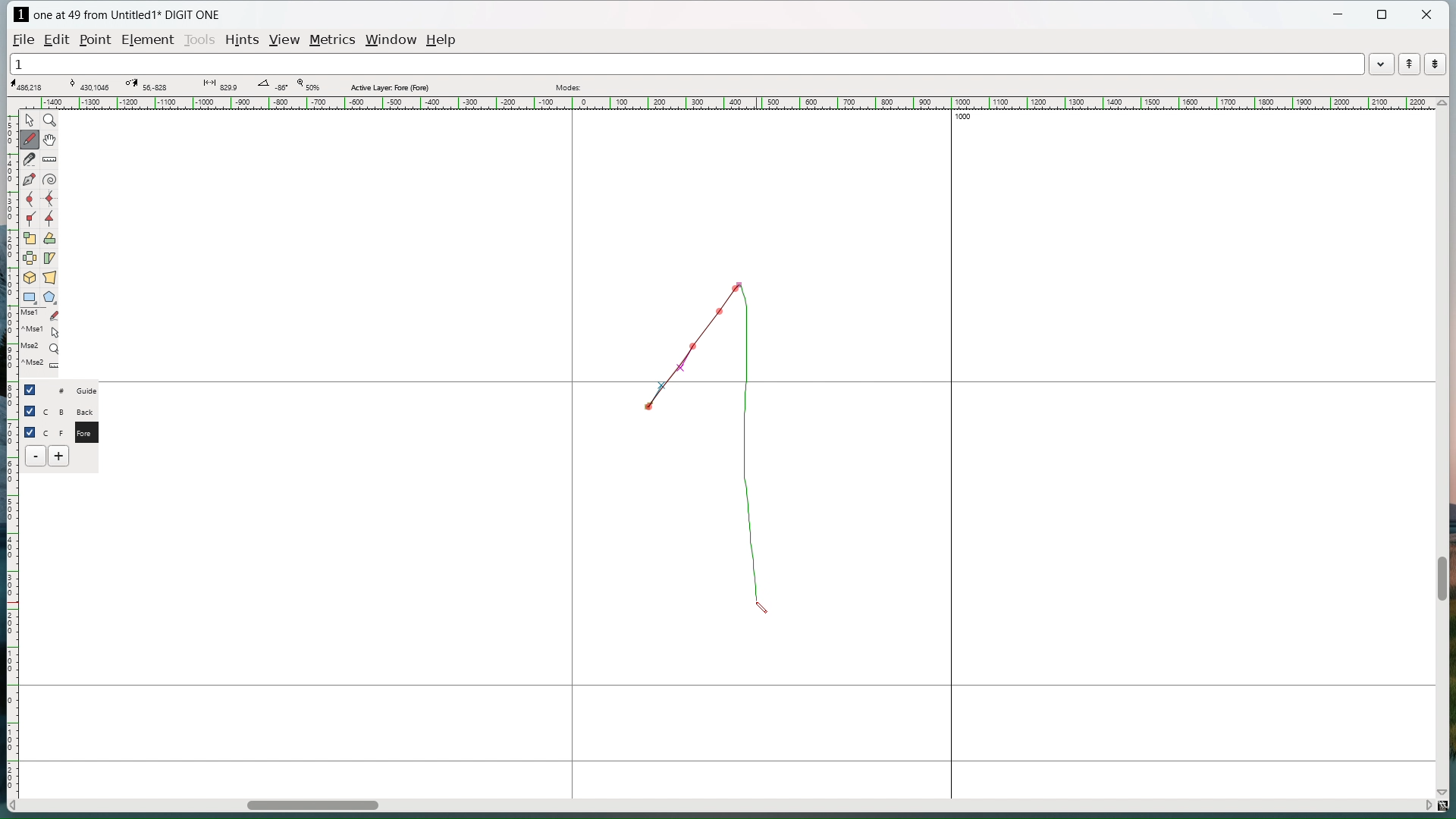 This screenshot has height=819, width=1456. Describe the element at coordinates (30, 179) in the screenshot. I see `add a point then drag out its control points` at that location.